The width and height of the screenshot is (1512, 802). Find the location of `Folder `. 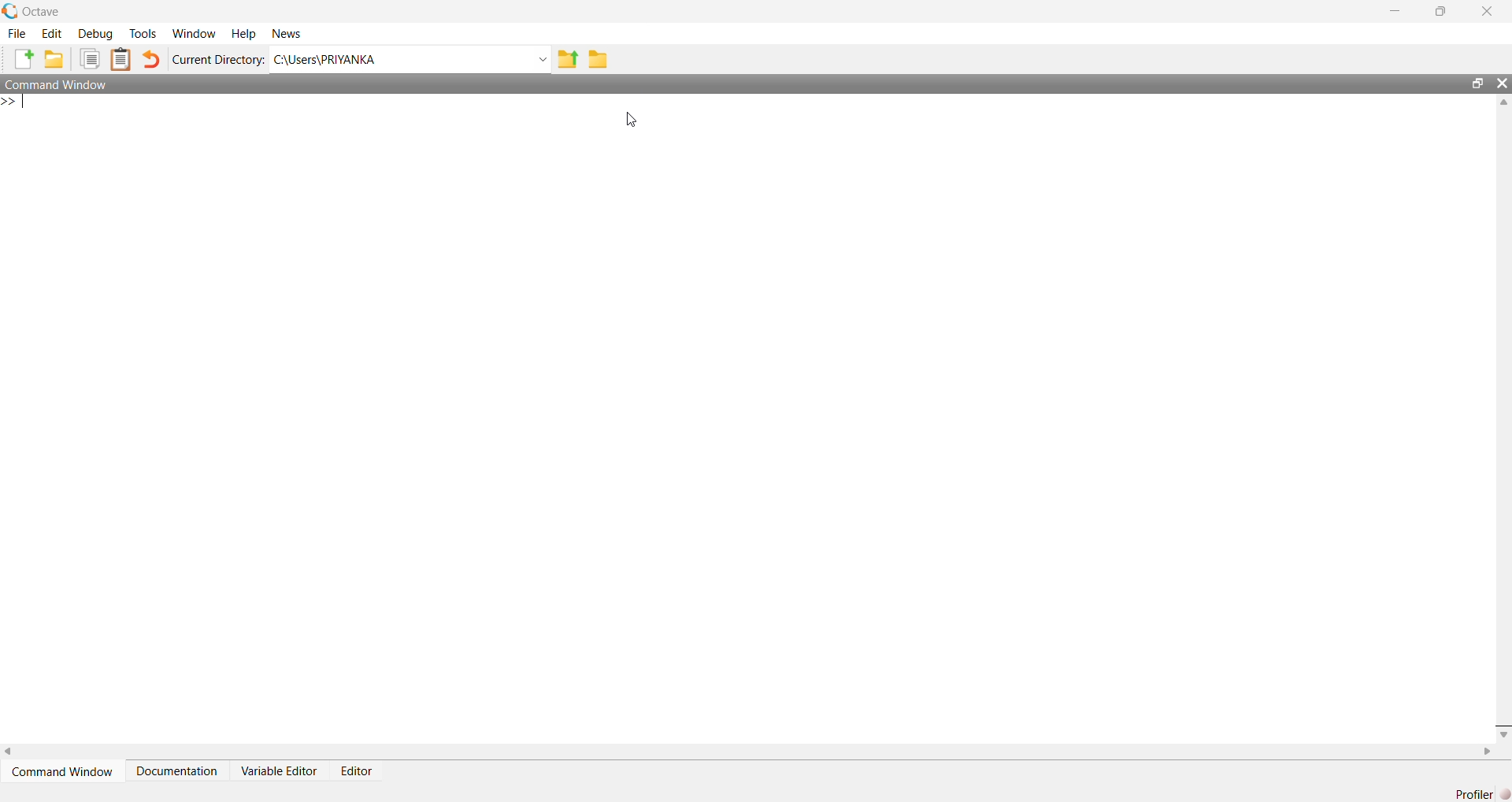

Folder  is located at coordinates (54, 60).